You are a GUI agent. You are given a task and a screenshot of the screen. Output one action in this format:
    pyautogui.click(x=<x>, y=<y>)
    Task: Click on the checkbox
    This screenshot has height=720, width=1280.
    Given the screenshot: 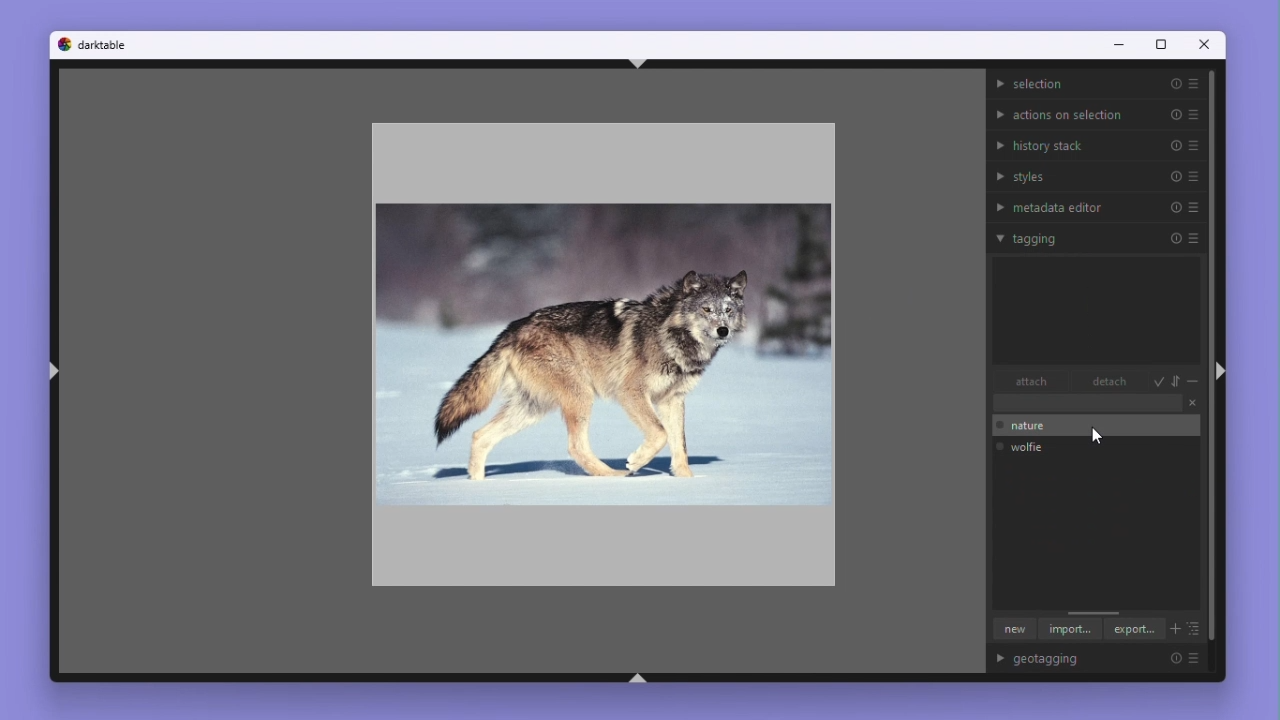 What is the action you would take?
    pyautogui.click(x=999, y=447)
    